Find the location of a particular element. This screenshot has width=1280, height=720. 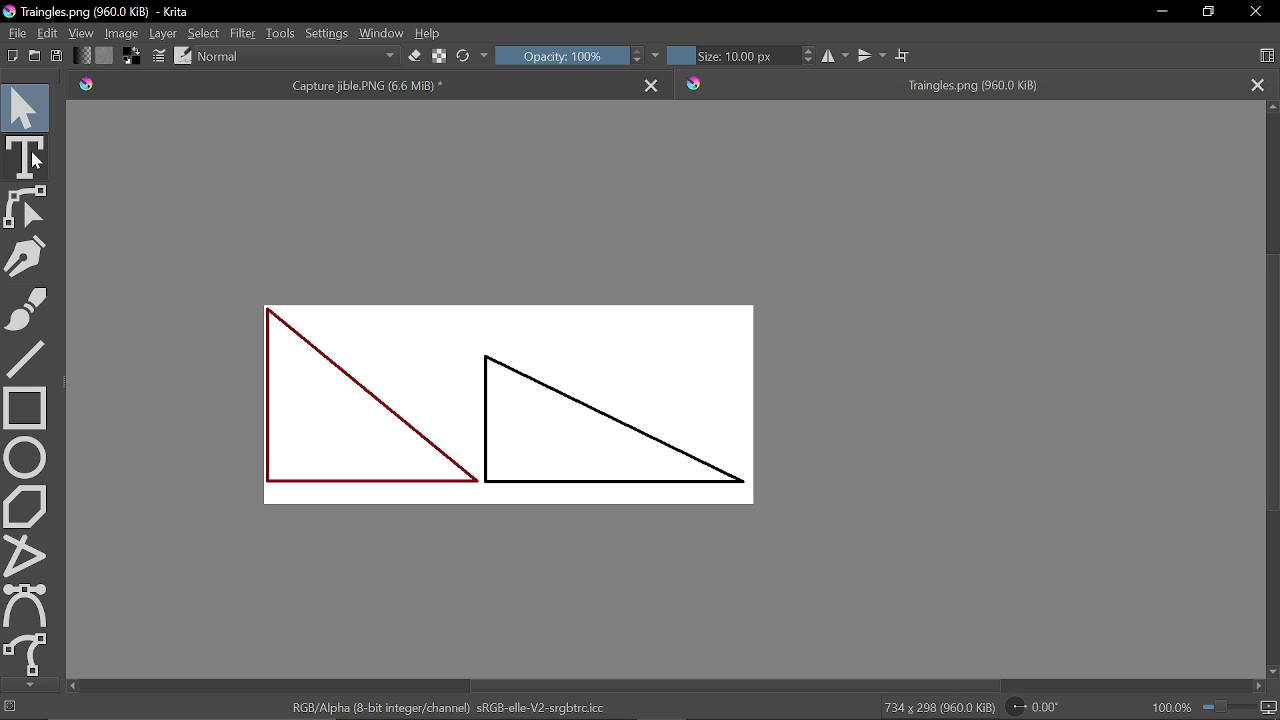

Move up is located at coordinates (1272, 109).